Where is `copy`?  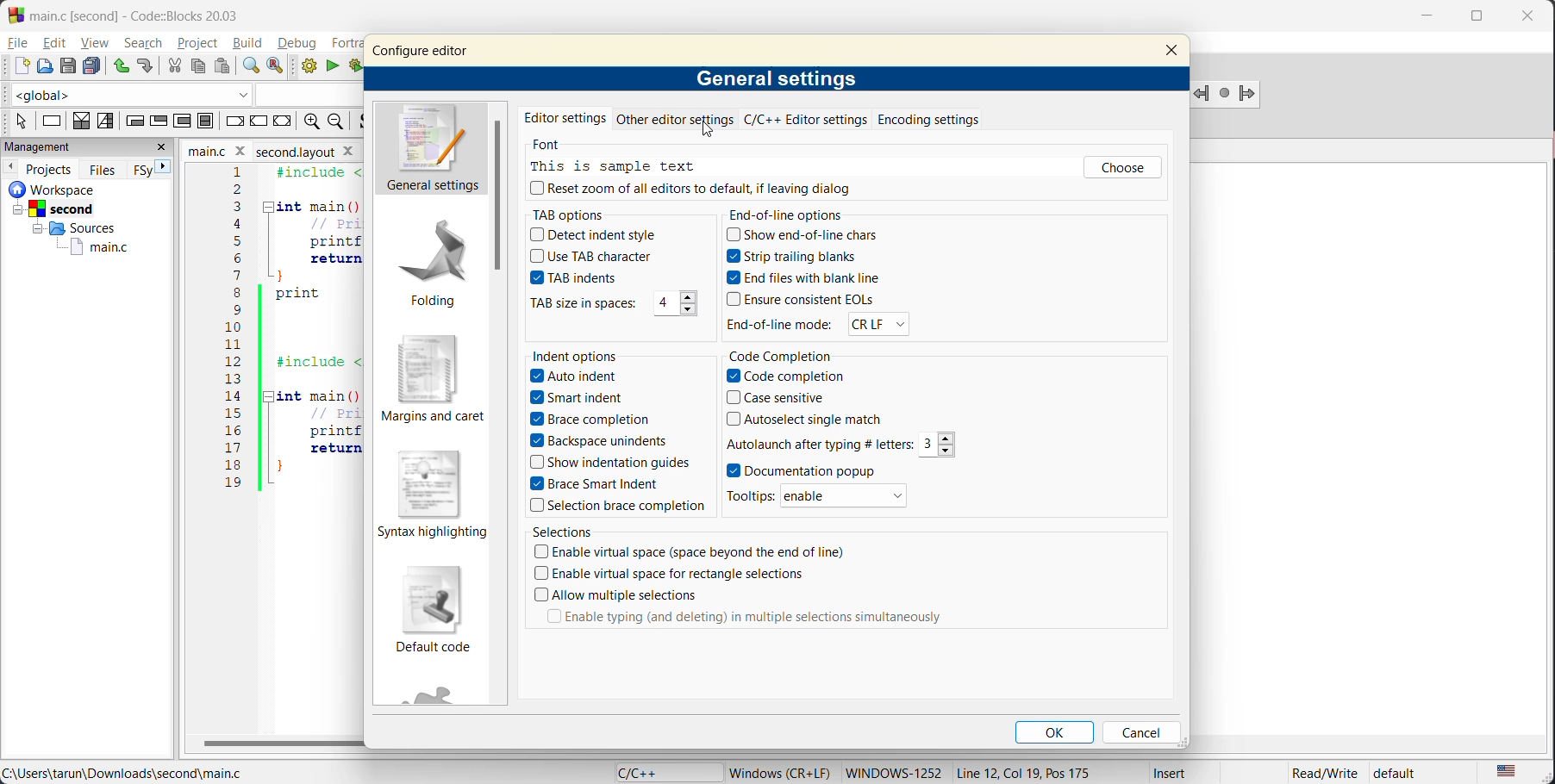
copy is located at coordinates (197, 65).